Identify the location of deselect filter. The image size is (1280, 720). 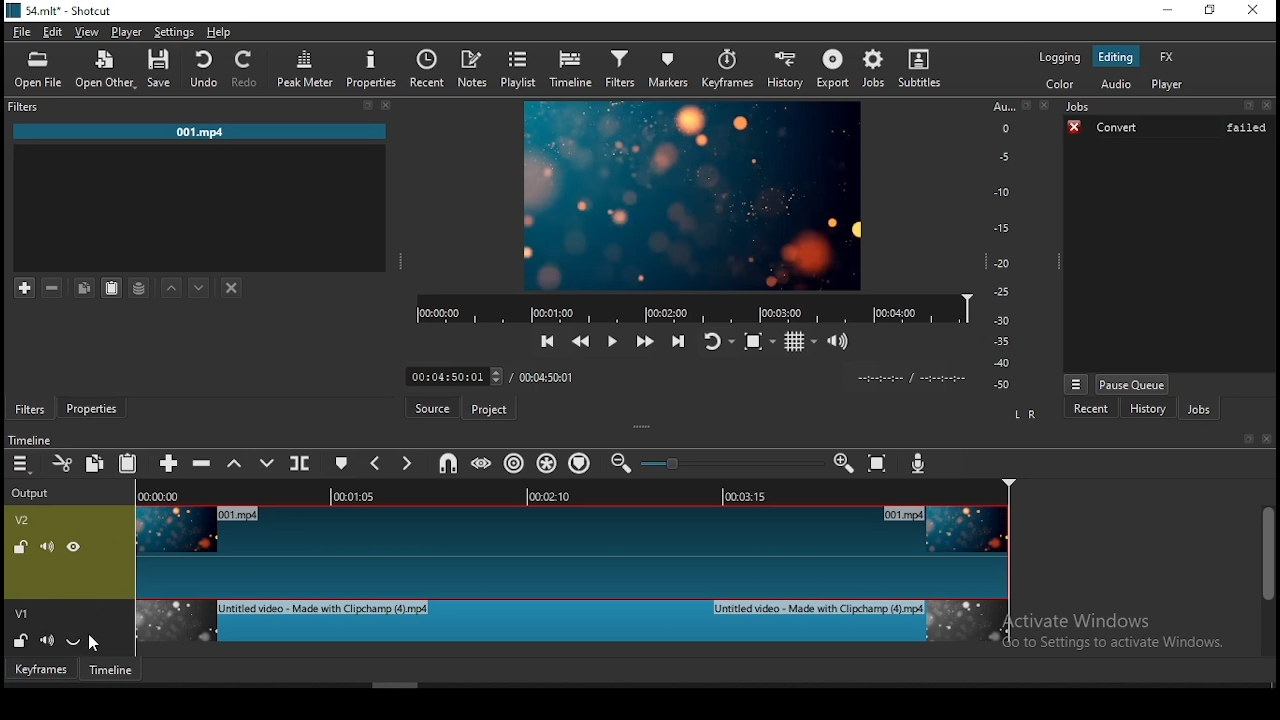
(232, 287).